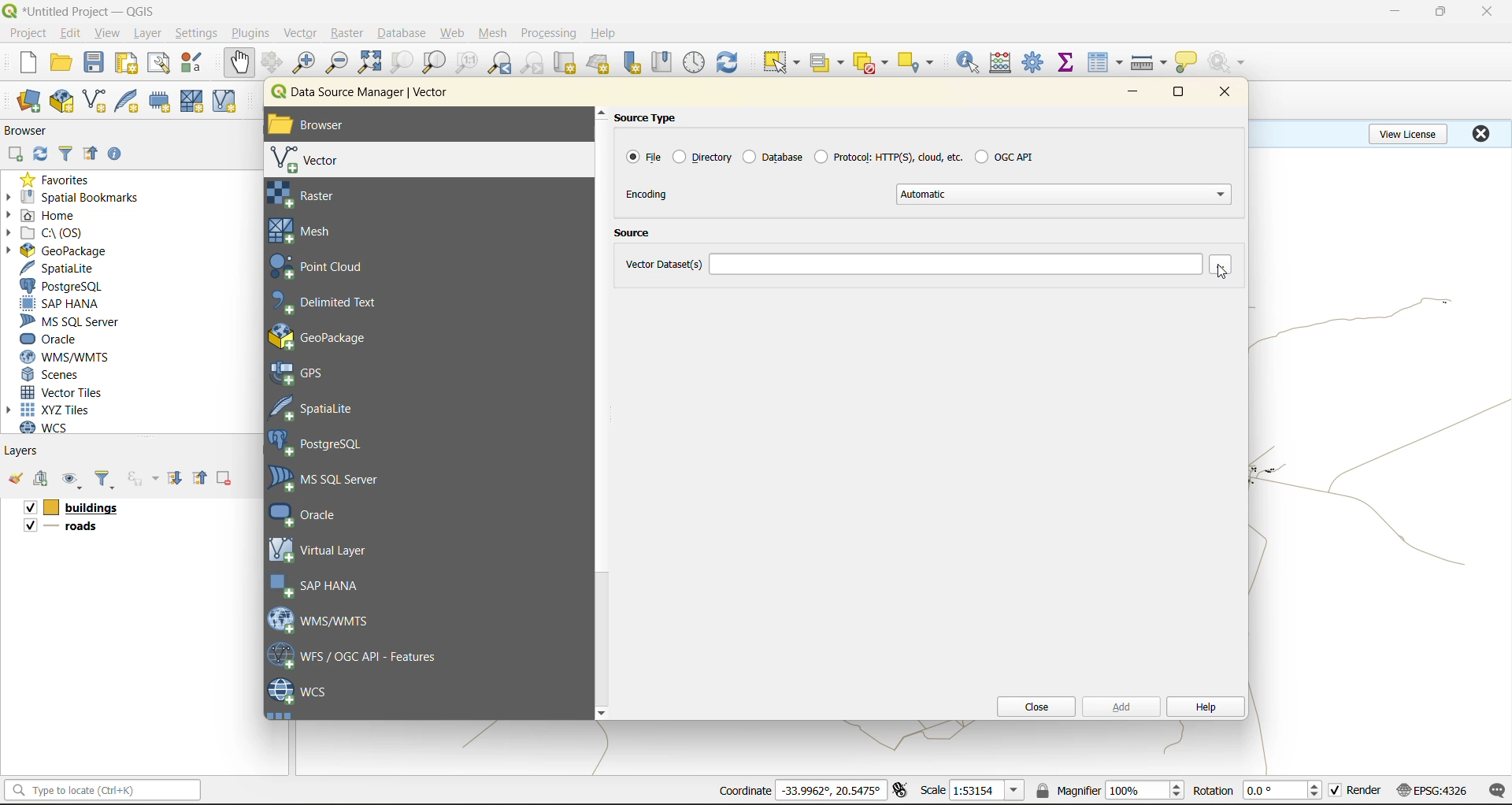 The image size is (1512, 805). I want to click on new spatialite layer, so click(131, 99).